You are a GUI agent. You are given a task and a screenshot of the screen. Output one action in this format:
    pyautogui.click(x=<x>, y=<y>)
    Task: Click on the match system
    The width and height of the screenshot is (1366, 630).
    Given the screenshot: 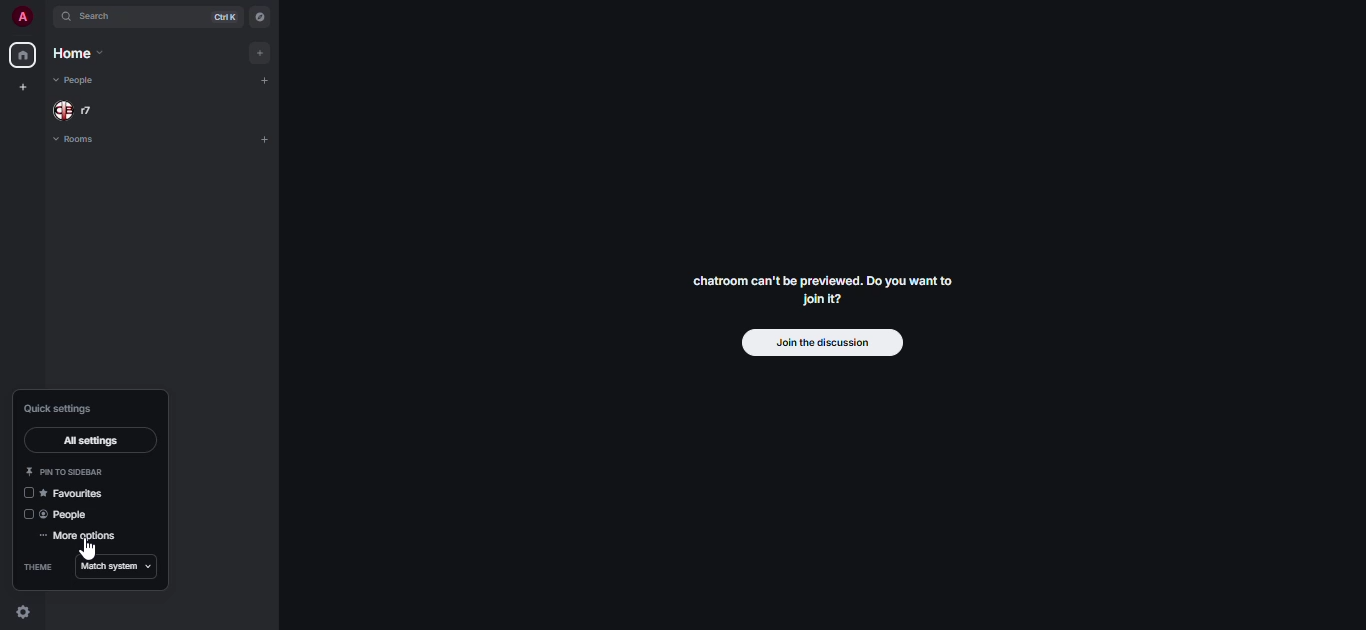 What is the action you would take?
    pyautogui.click(x=119, y=568)
    